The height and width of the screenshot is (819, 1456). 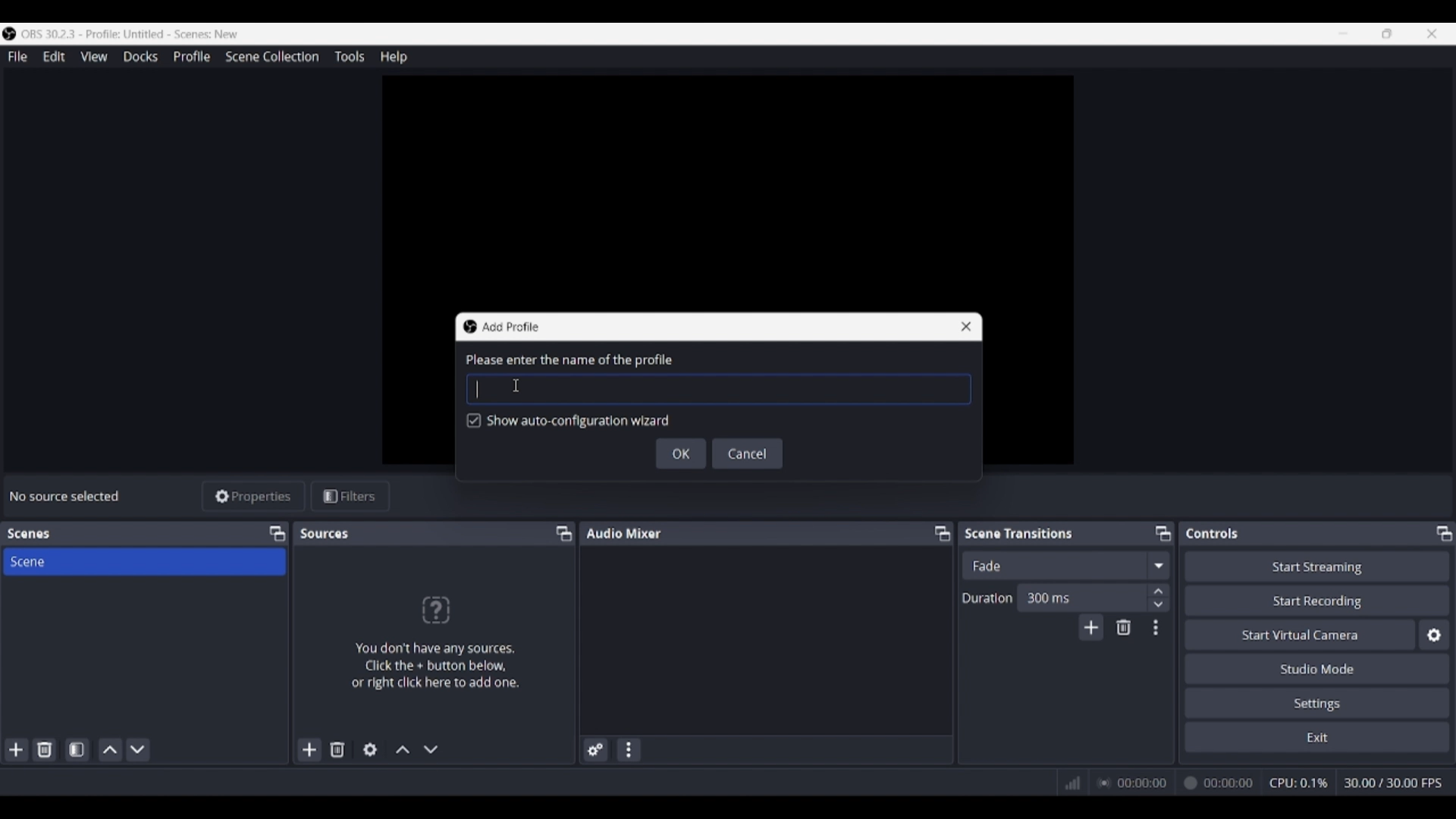 What do you see at coordinates (1213, 533) in the screenshot?
I see `Panel title` at bounding box center [1213, 533].